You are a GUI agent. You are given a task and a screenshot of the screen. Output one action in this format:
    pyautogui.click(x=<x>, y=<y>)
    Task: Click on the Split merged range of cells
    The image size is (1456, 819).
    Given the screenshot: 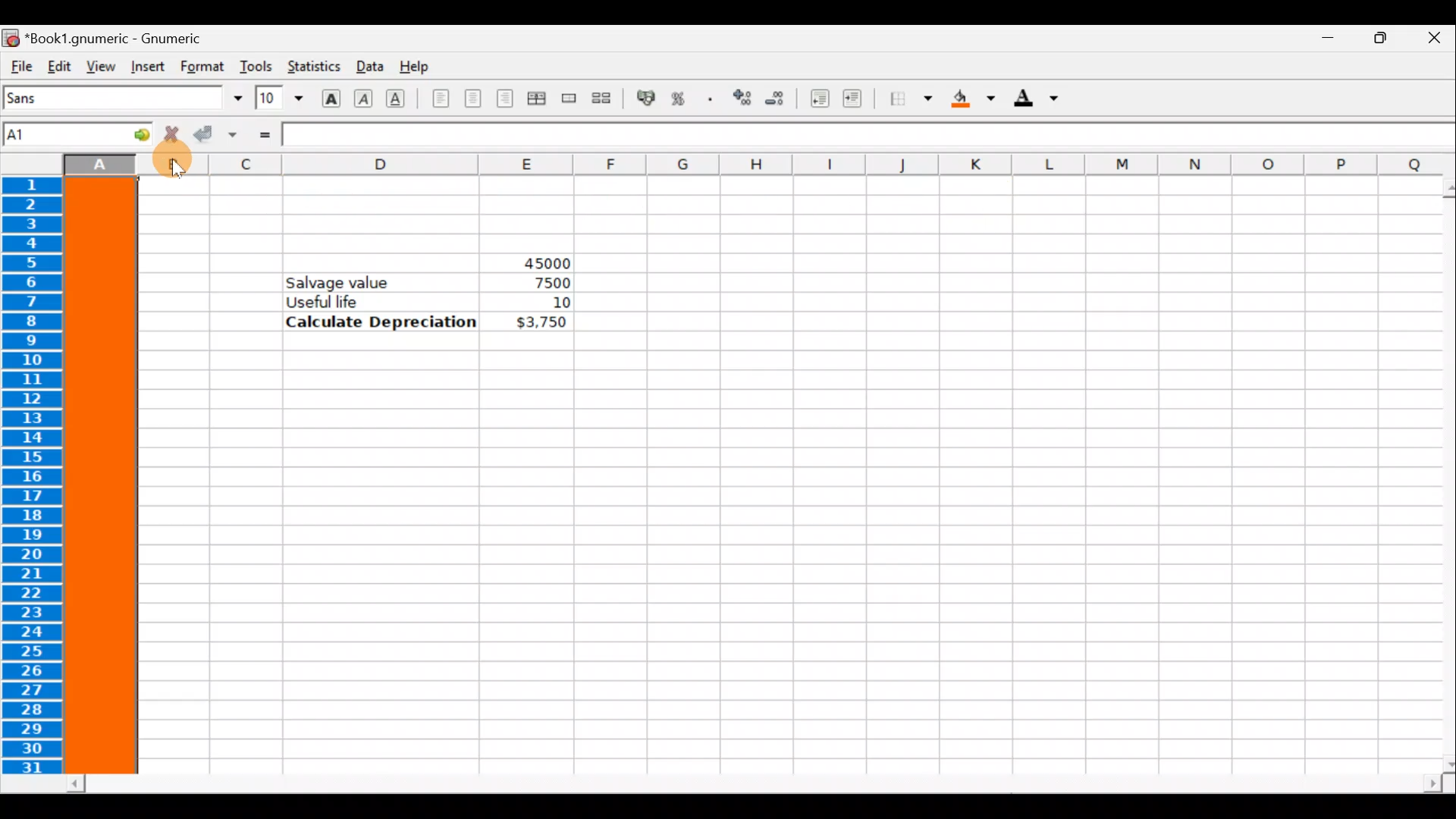 What is the action you would take?
    pyautogui.click(x=602, y=97)
    